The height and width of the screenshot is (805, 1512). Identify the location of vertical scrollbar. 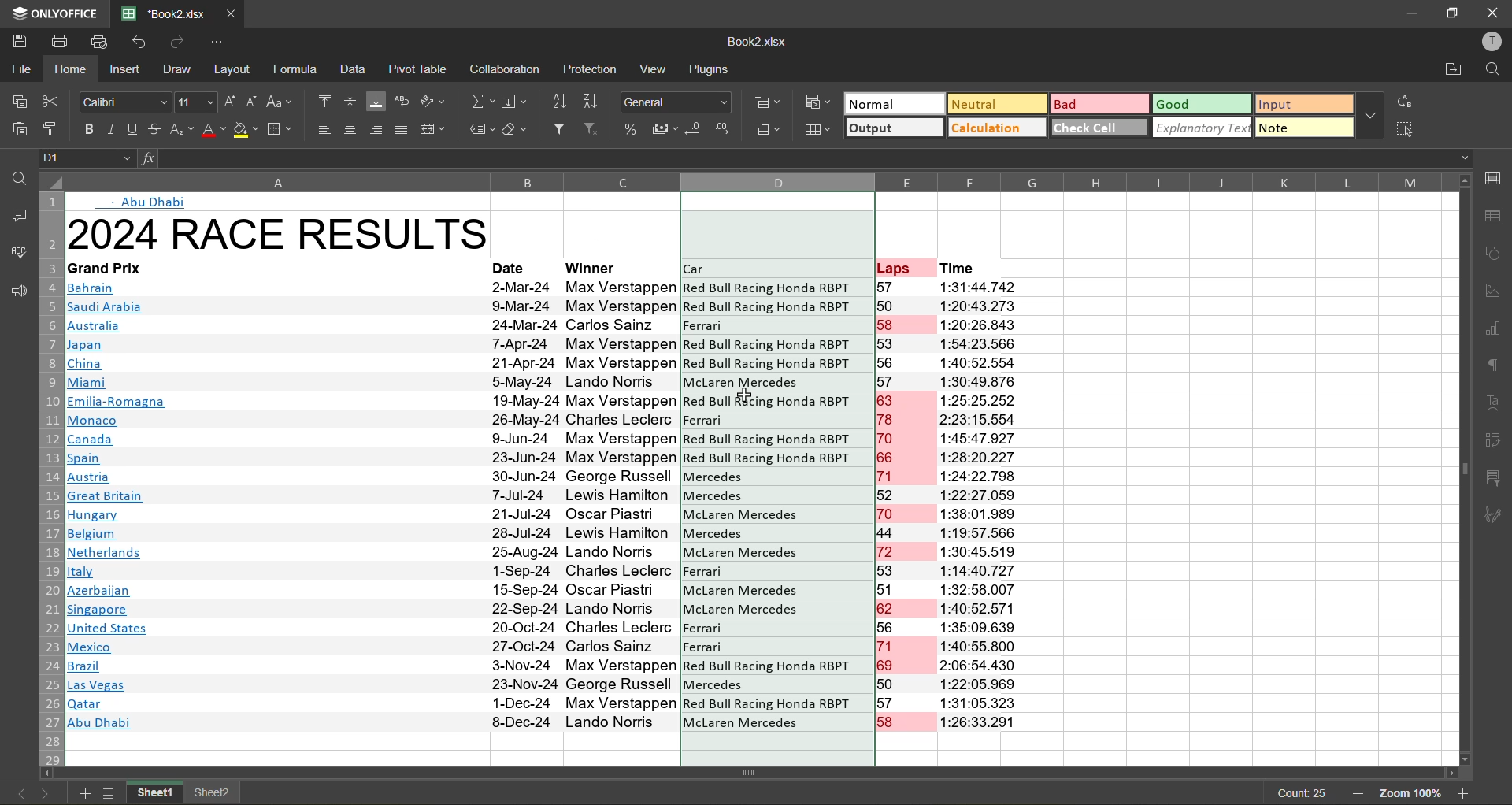
(1463, 469).